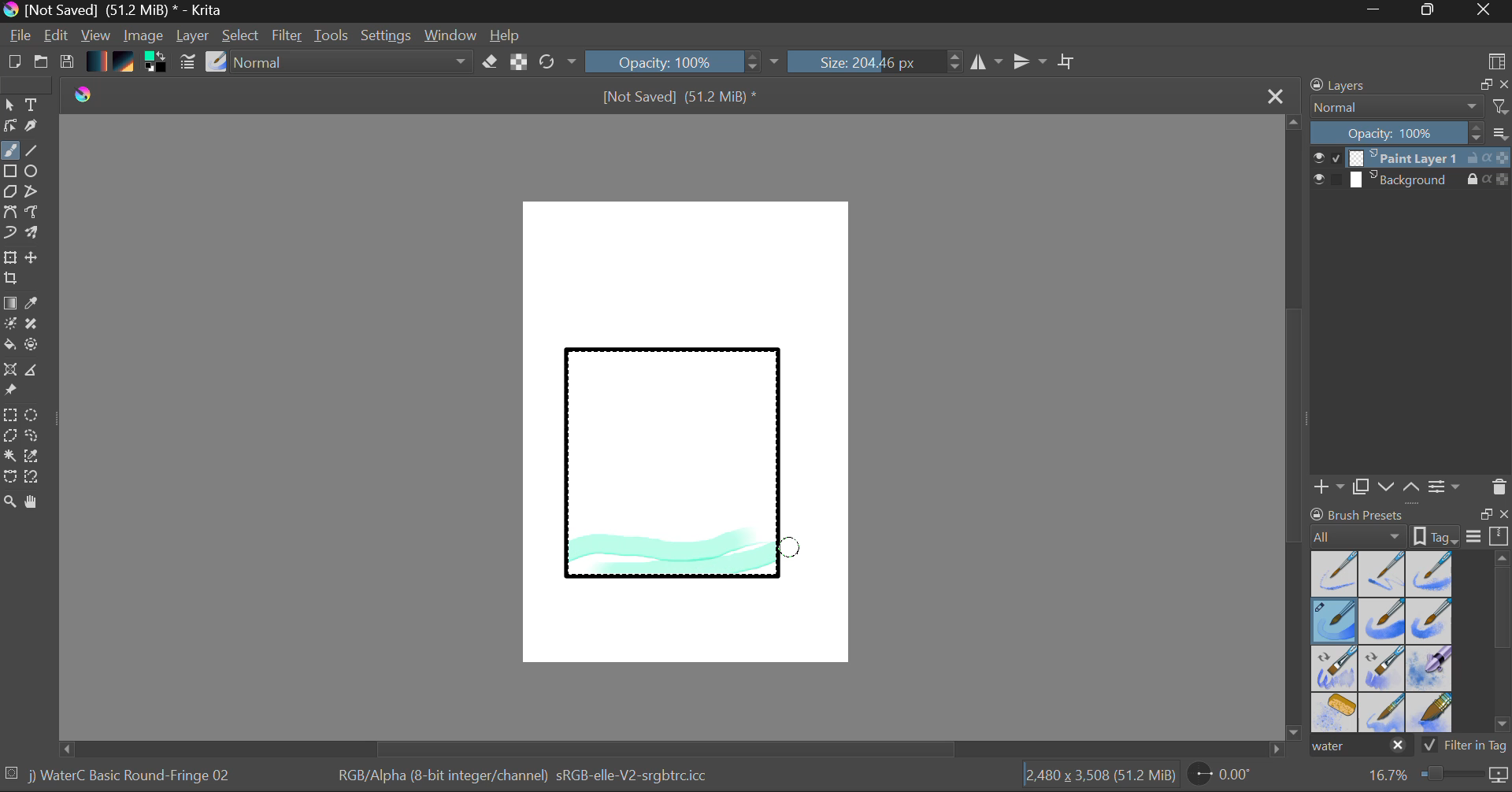 The height and width of the screenshot is (792, 1512). Describe the element at coordinates (673, 749) in the screenshot. I see `Scroll Bar` at that location.